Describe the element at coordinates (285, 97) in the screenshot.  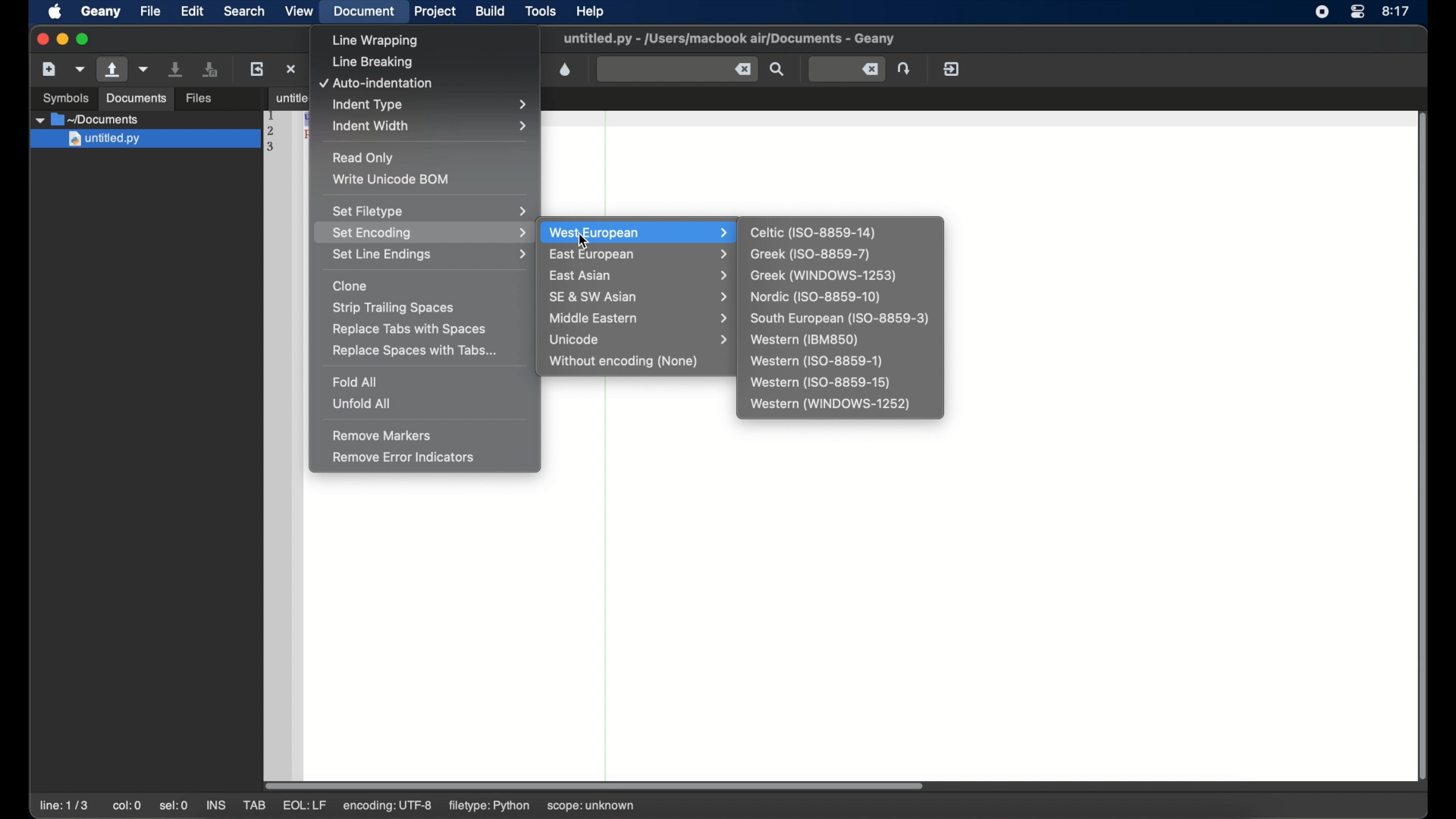
I see `tab` at that location.